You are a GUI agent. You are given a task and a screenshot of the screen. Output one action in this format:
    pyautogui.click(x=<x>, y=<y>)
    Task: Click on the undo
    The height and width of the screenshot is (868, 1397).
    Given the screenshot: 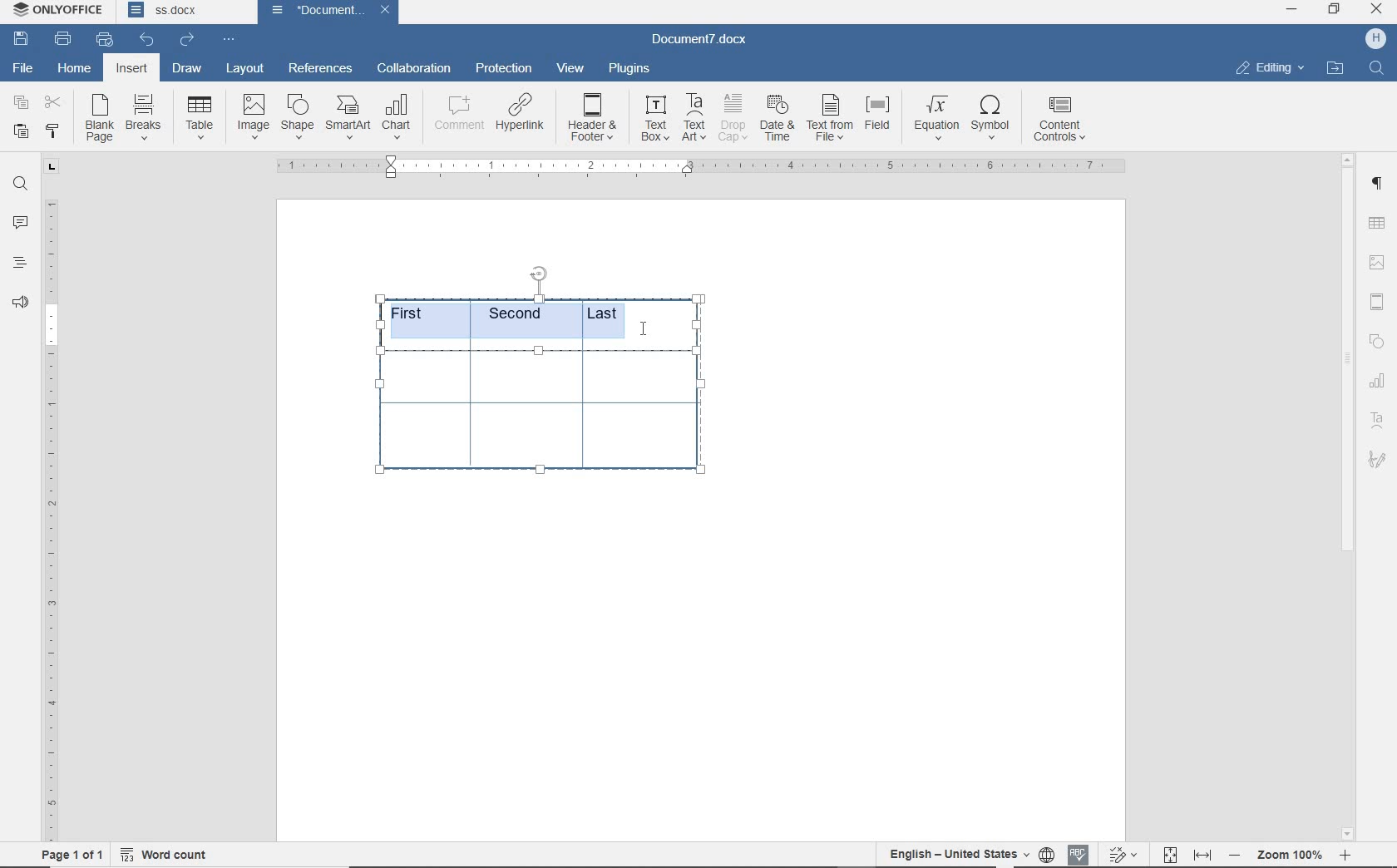 What is the action you would take?
    pyautogui.click(x=146, y=38)
    